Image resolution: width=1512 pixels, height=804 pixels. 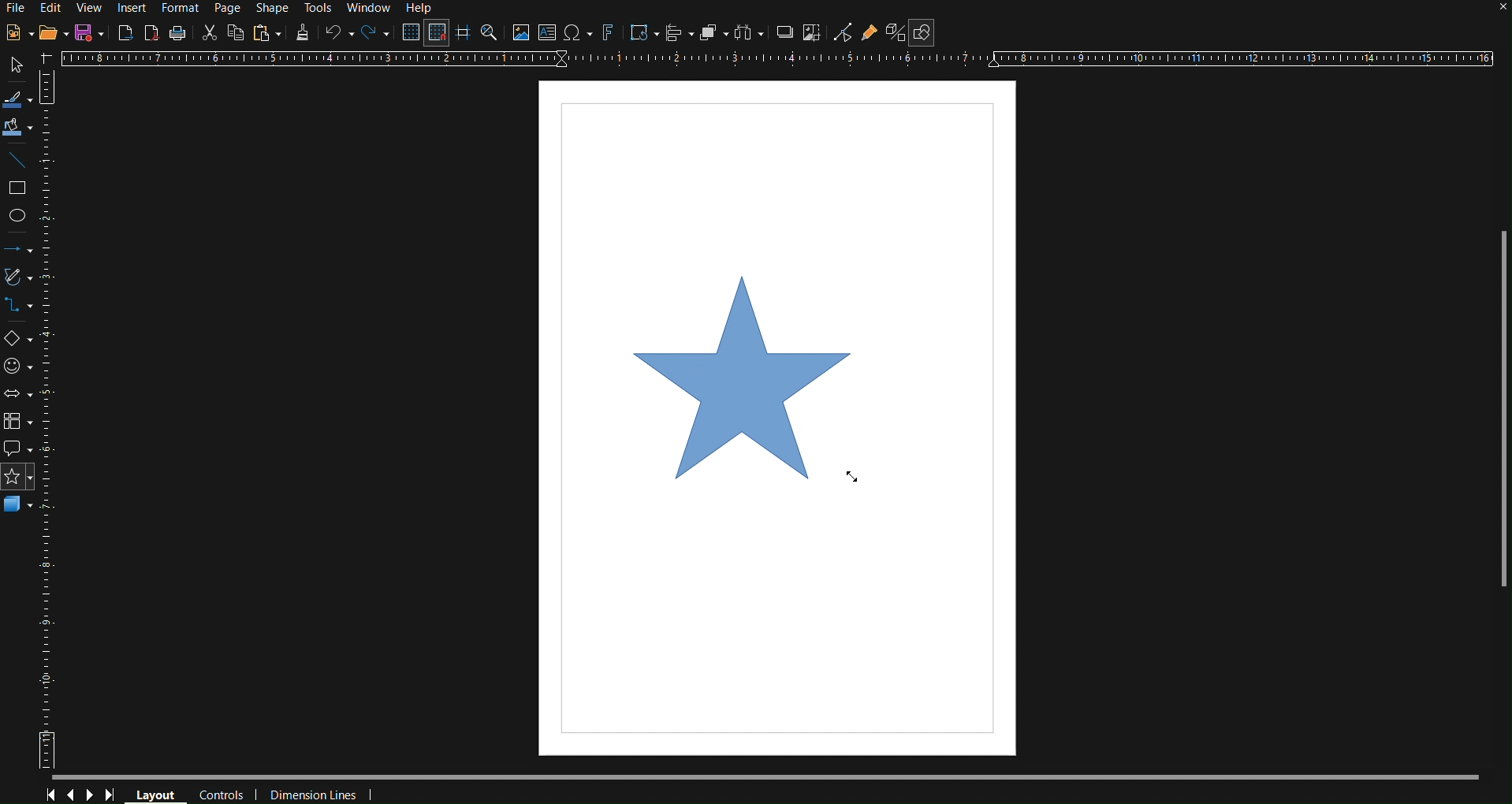 I want to click on Align Objects, so click(x=676, y=35).